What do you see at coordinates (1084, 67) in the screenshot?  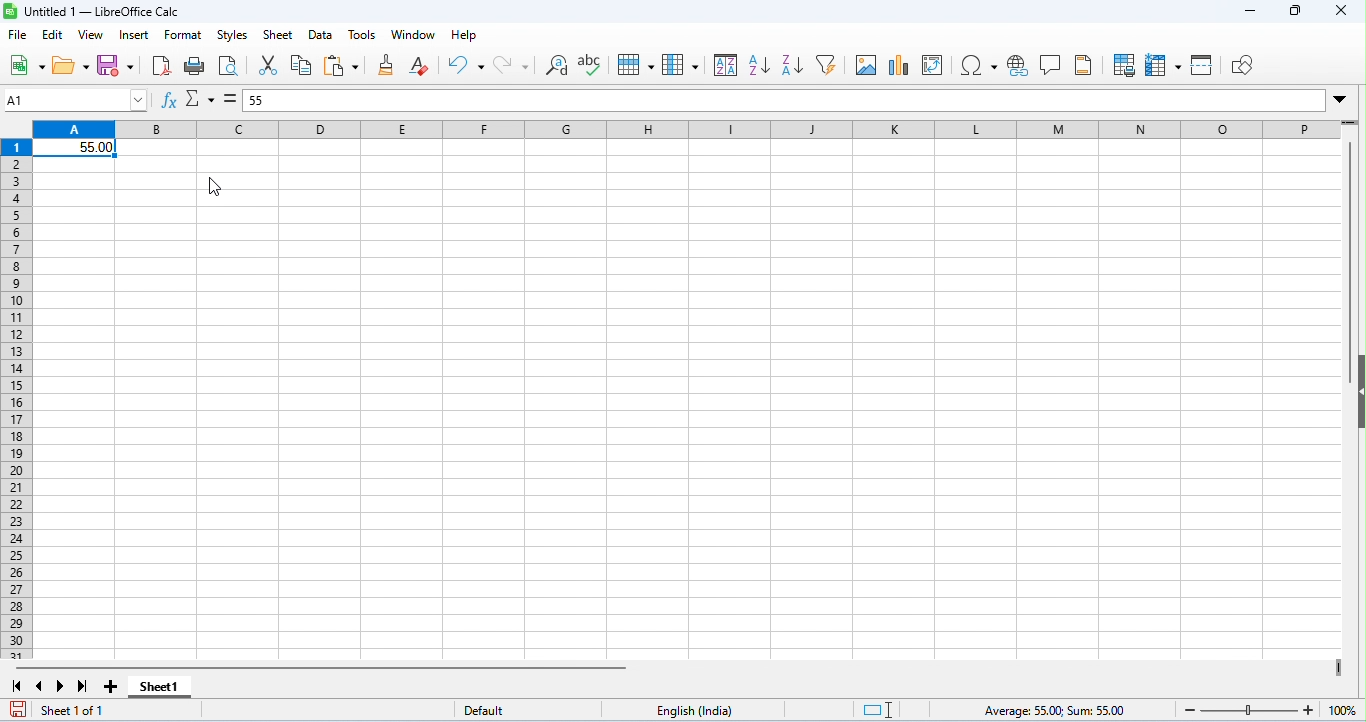 I see `header and footer` at bounding box center [1084, 67].